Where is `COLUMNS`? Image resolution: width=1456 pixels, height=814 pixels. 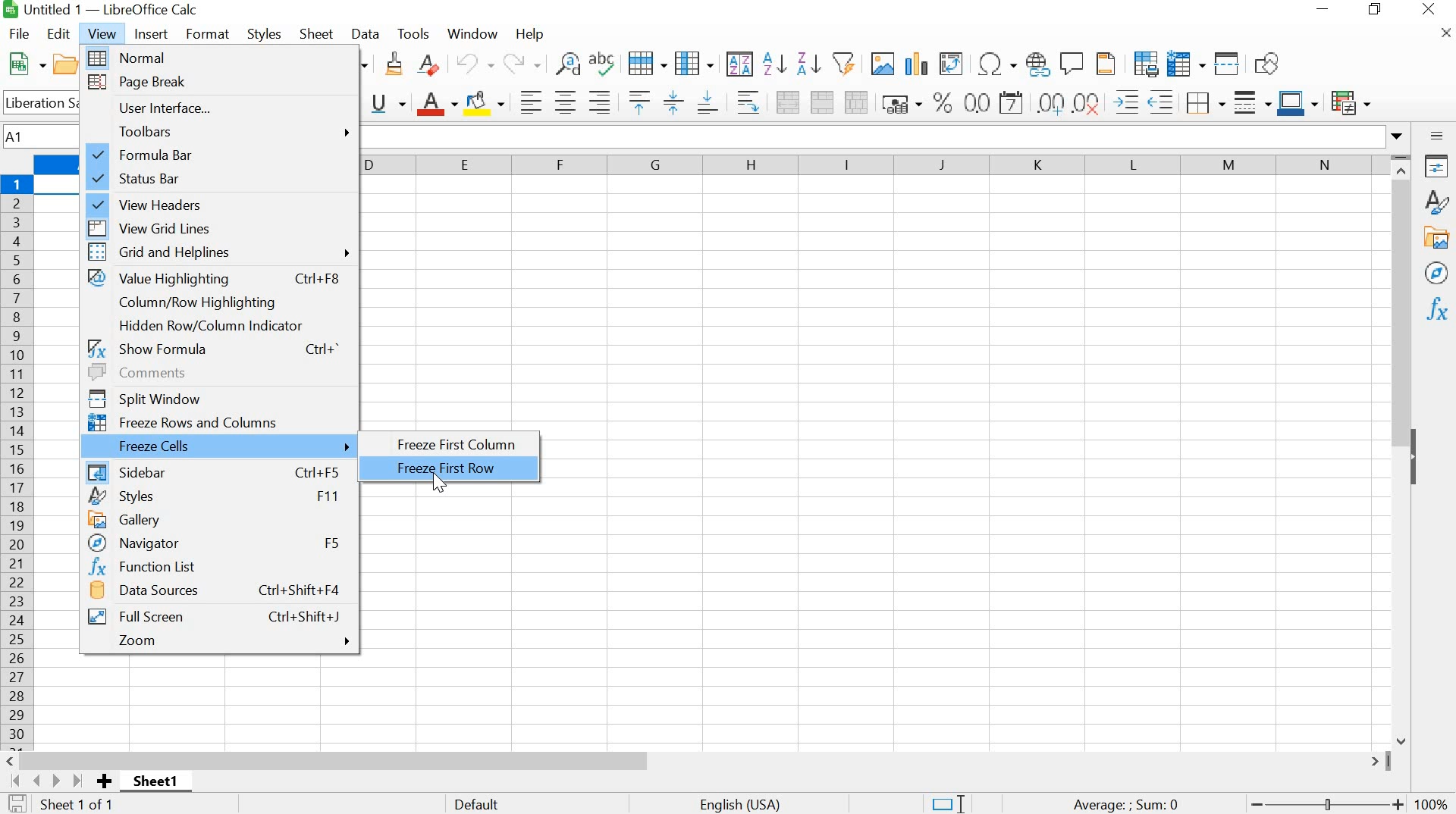
COLUMNS is located at coordinates (874, 167).